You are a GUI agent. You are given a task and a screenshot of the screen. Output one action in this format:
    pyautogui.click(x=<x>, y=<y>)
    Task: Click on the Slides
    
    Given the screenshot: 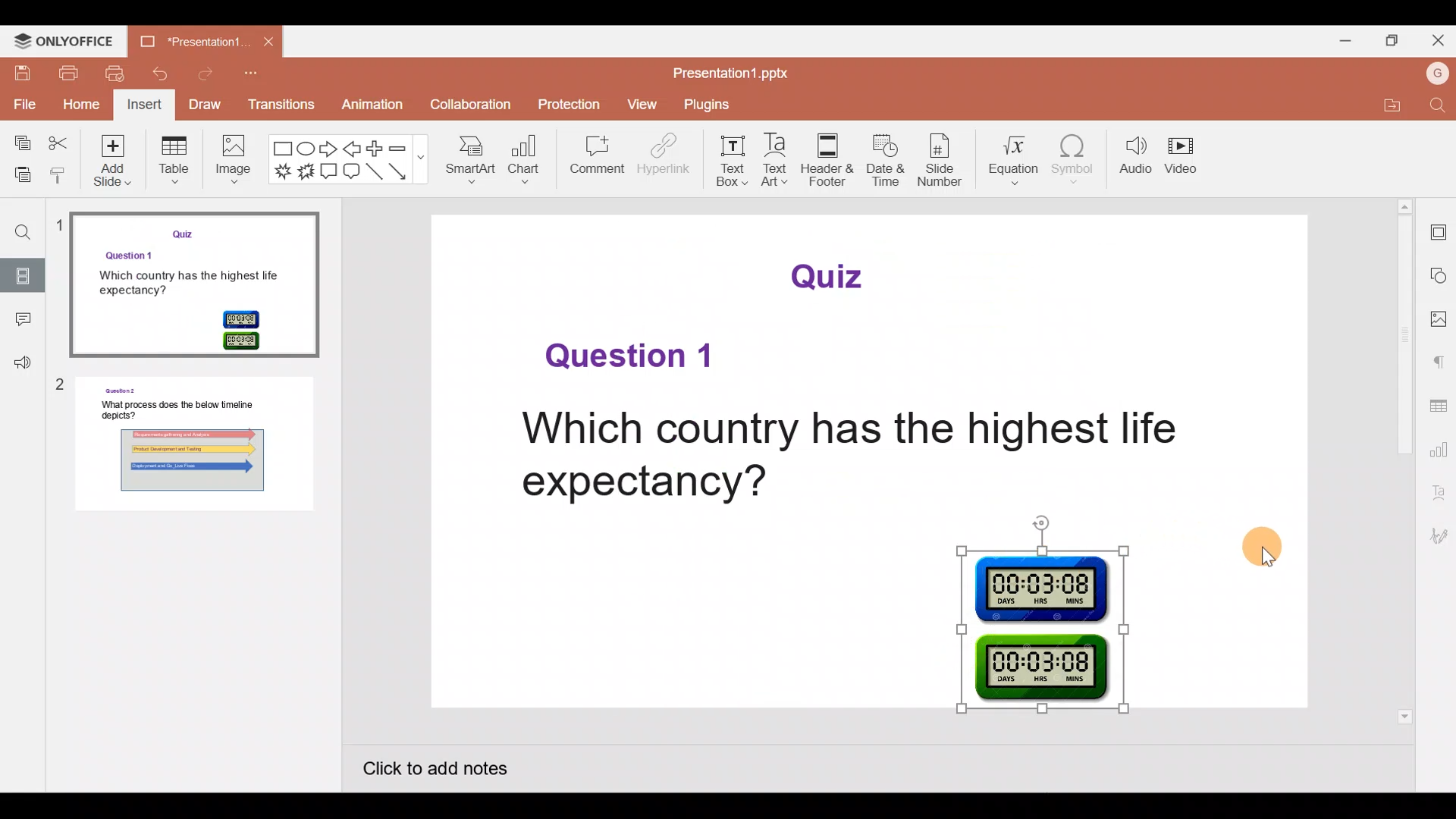 What is the action you would take?
    pyautogui.click(x=24, y=275)
    